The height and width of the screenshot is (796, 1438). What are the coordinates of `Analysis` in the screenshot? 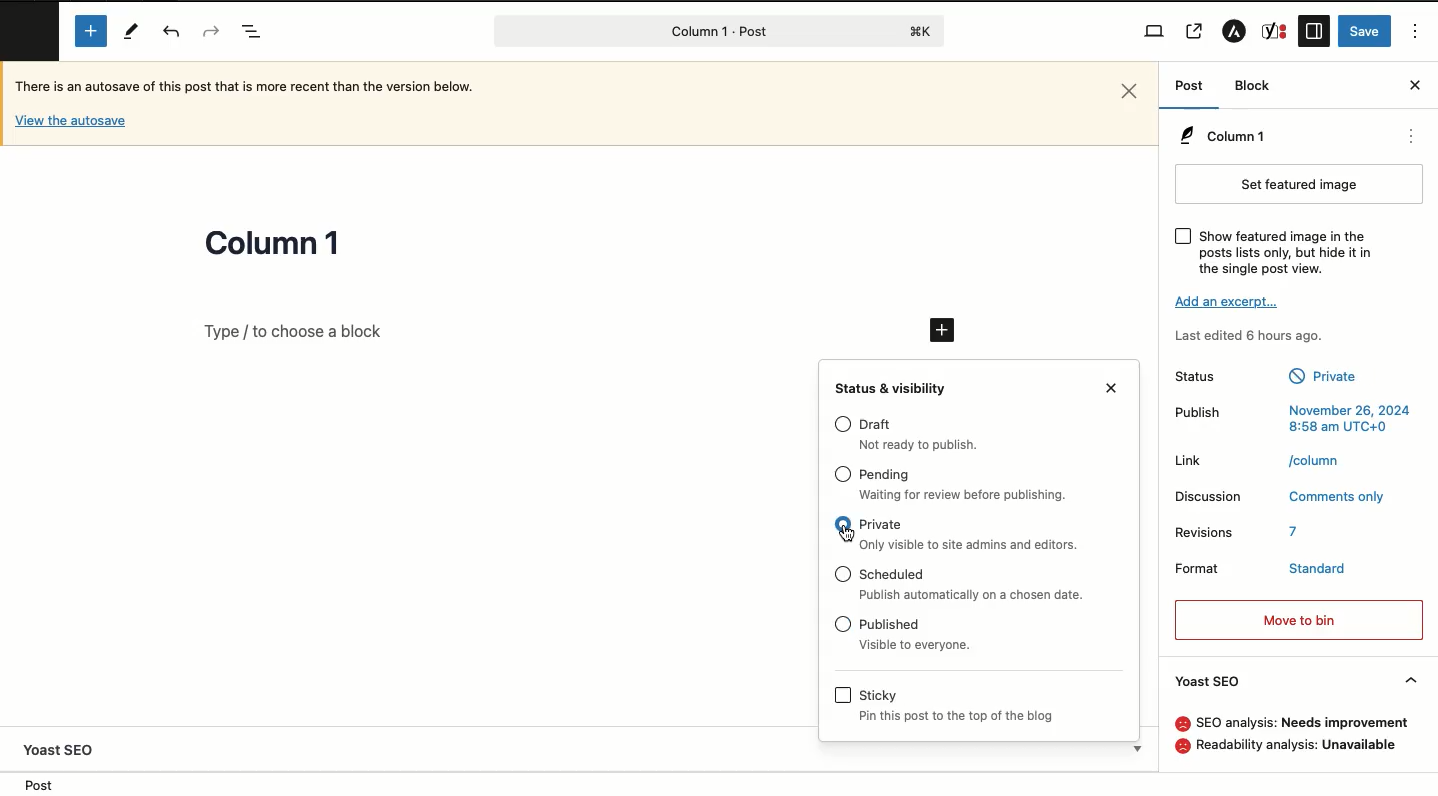 It's located at (1303, 722).